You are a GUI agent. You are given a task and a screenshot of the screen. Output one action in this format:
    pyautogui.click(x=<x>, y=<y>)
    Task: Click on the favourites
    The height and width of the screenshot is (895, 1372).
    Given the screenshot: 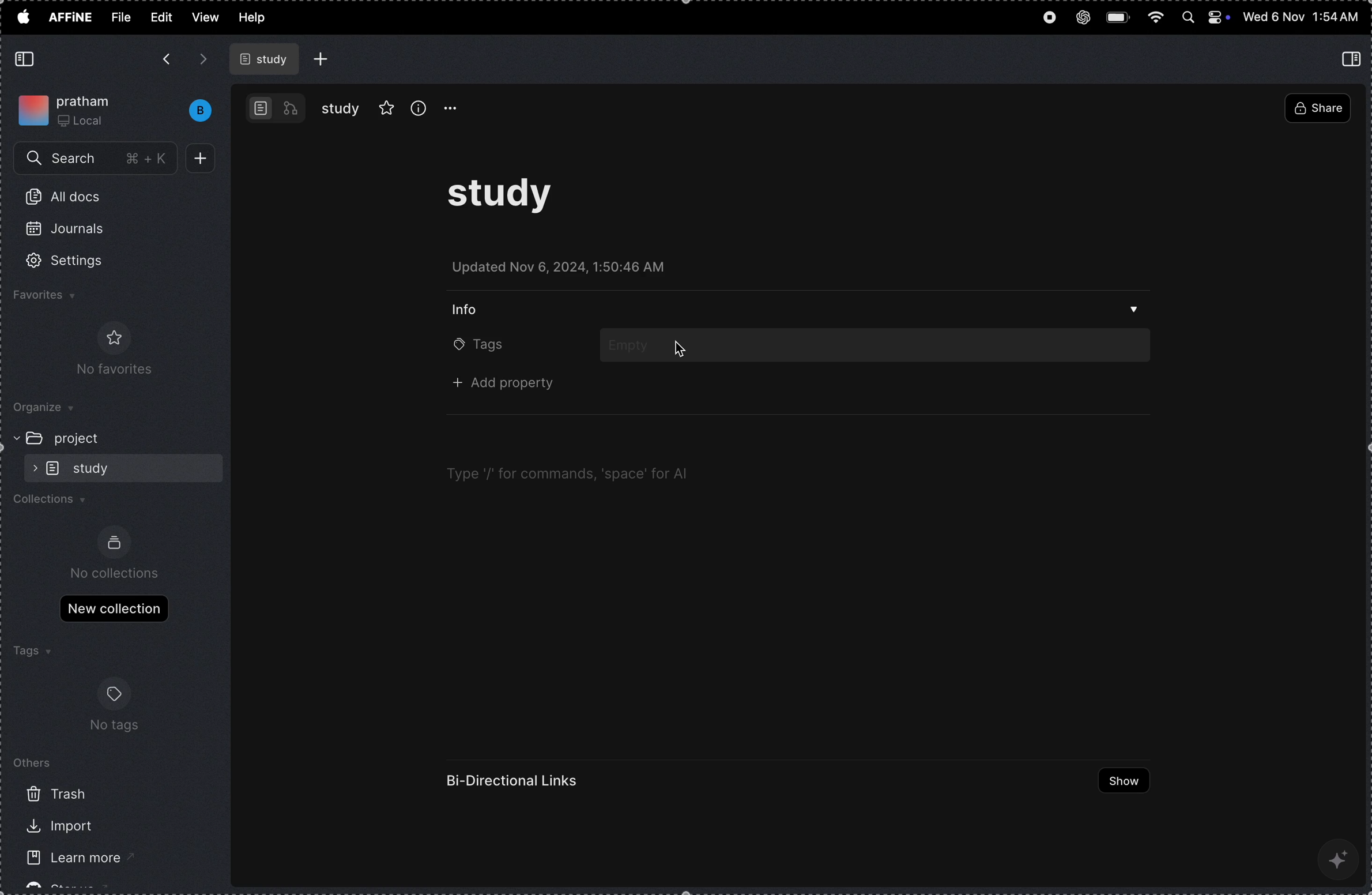 What is the action you would take?
    pyautogui.click(x=61, y=297)
    